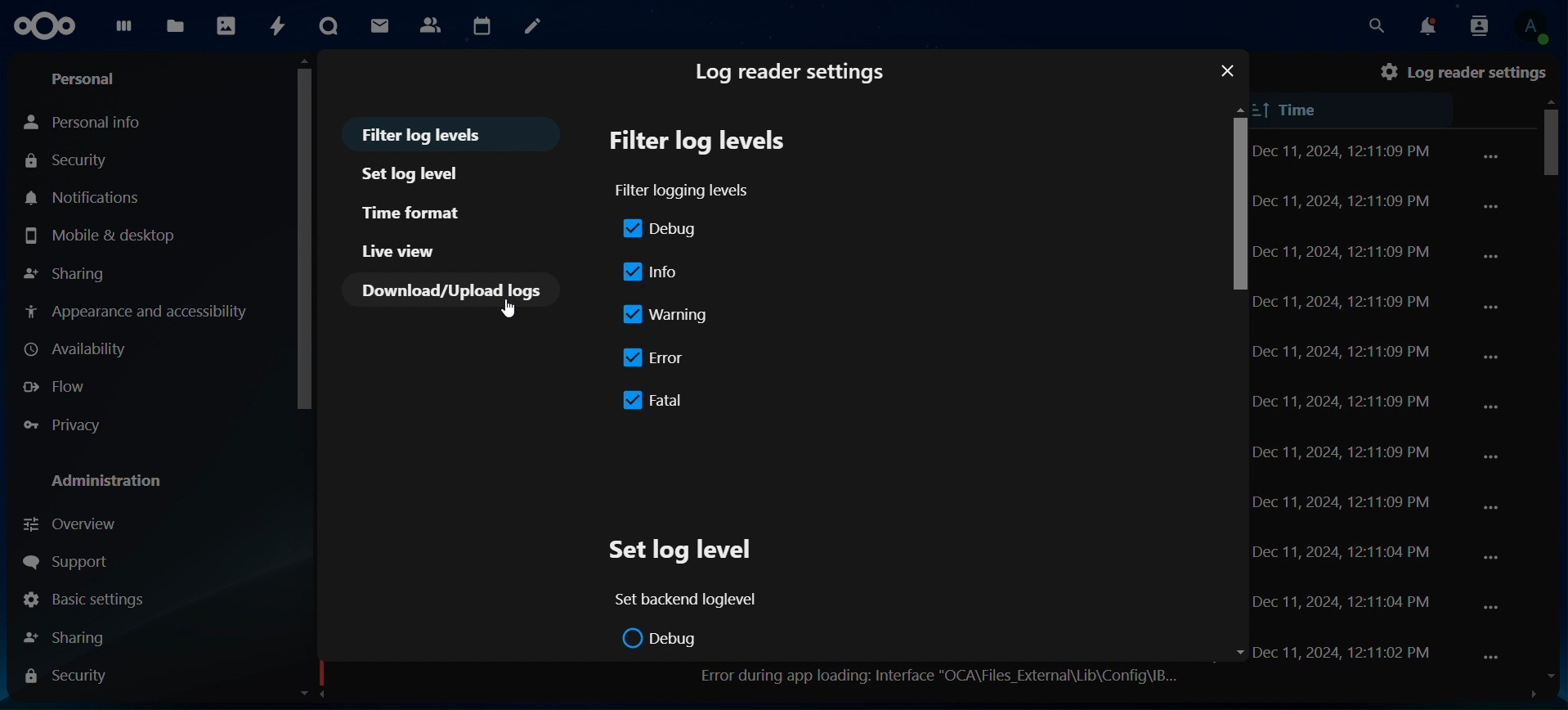 The height and width of the screenshot is (710, 1568). What do you see at coordinates (414, 213) in the screenshot?
I see `time format` at bounding box center [414, 213].